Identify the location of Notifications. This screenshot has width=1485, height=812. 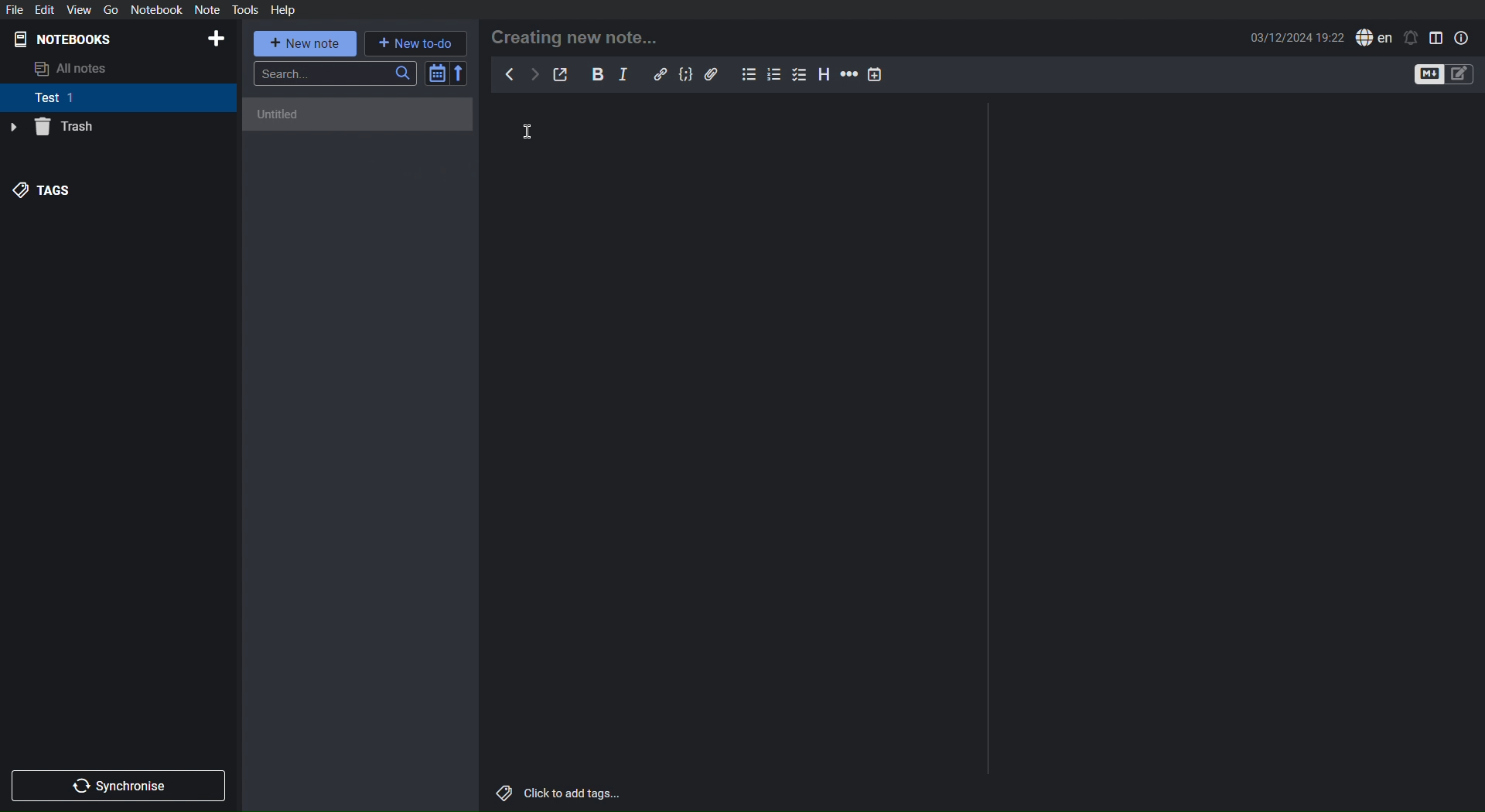
(1410, 39).